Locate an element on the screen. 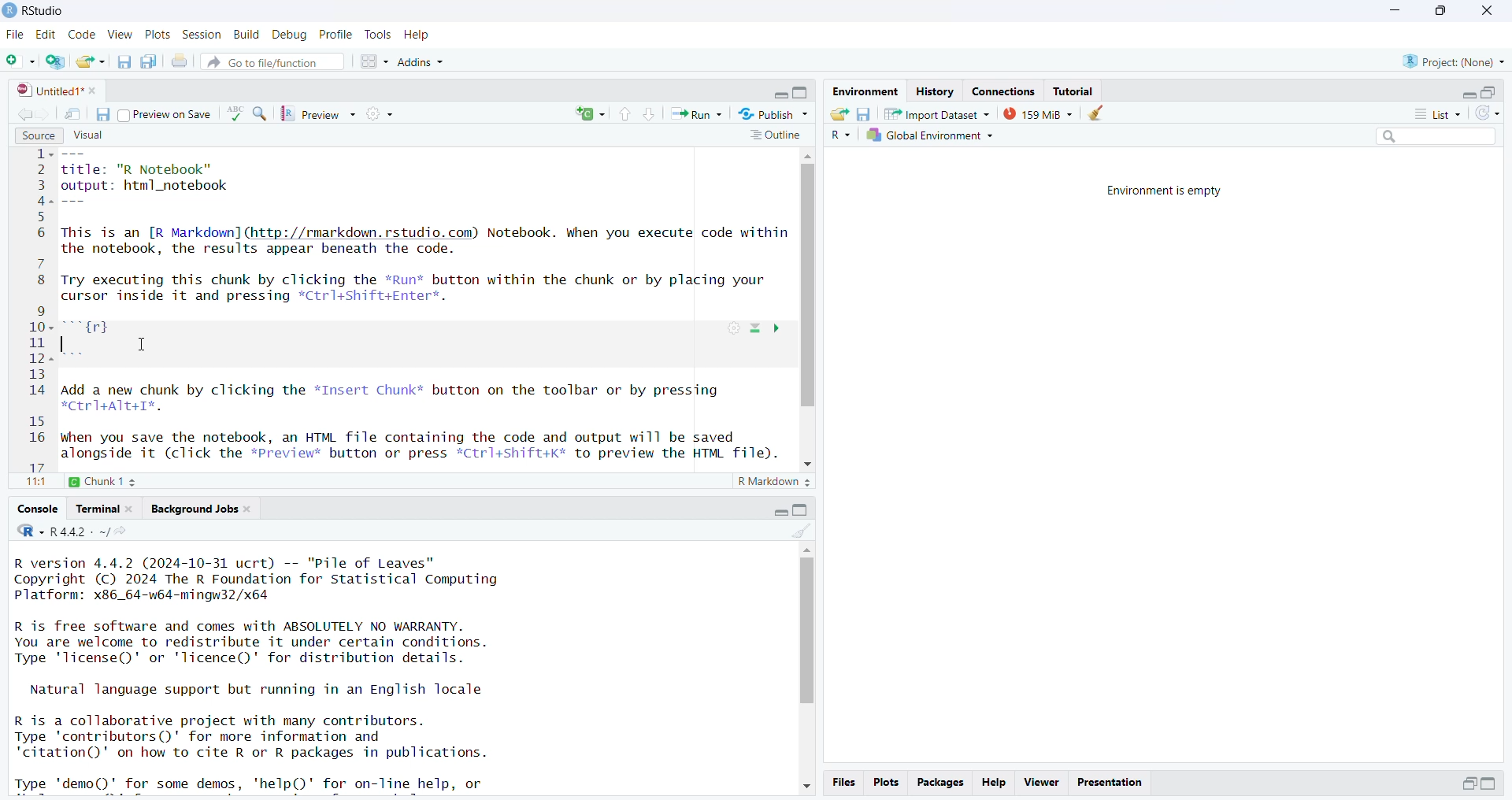 The width and height of the screenshot is (1512, 800). R markdown is located at coordinates (776, 483).